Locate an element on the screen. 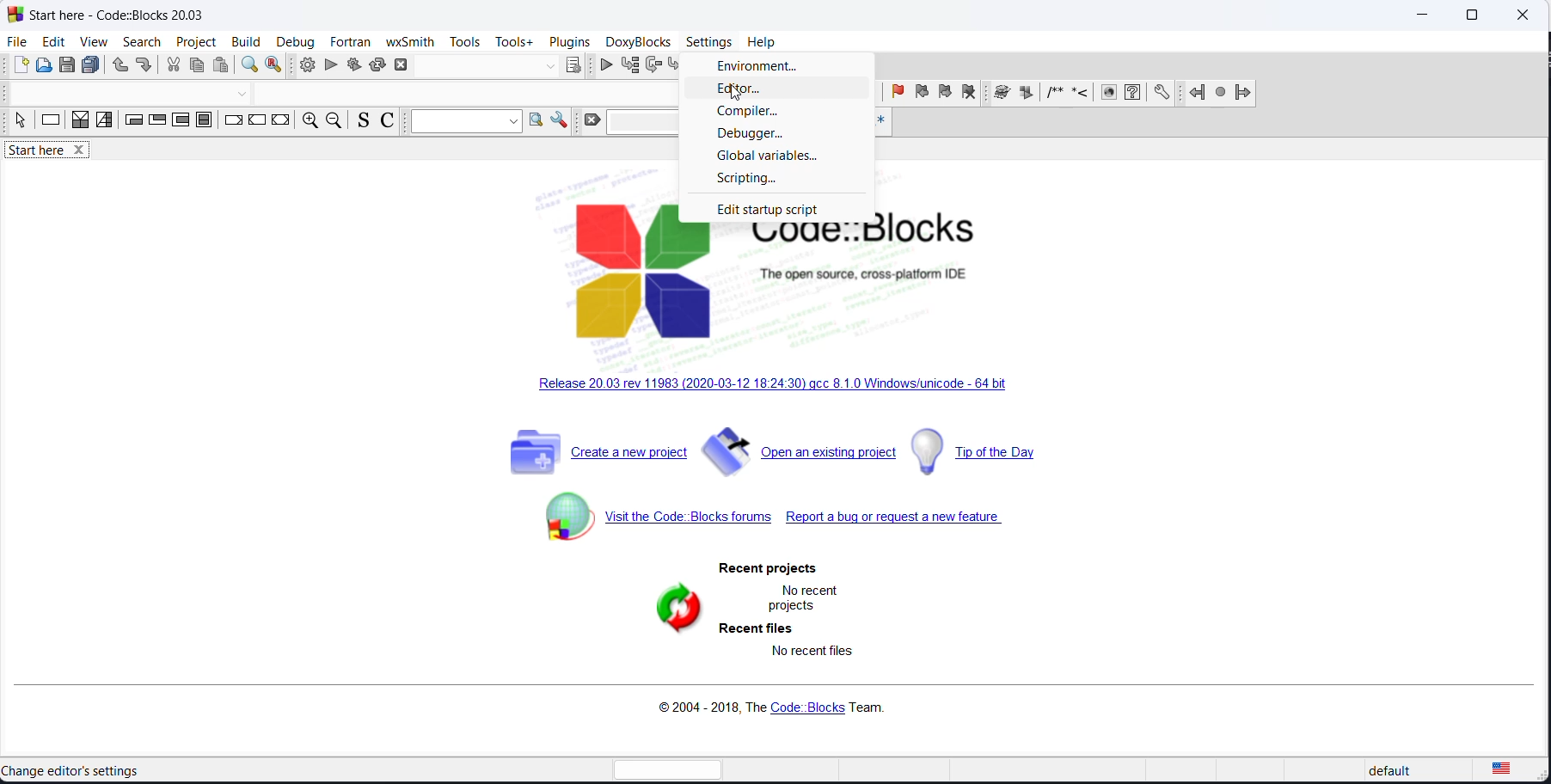 The image size is (1551, 784). save all is located at coordinates (94, 65).